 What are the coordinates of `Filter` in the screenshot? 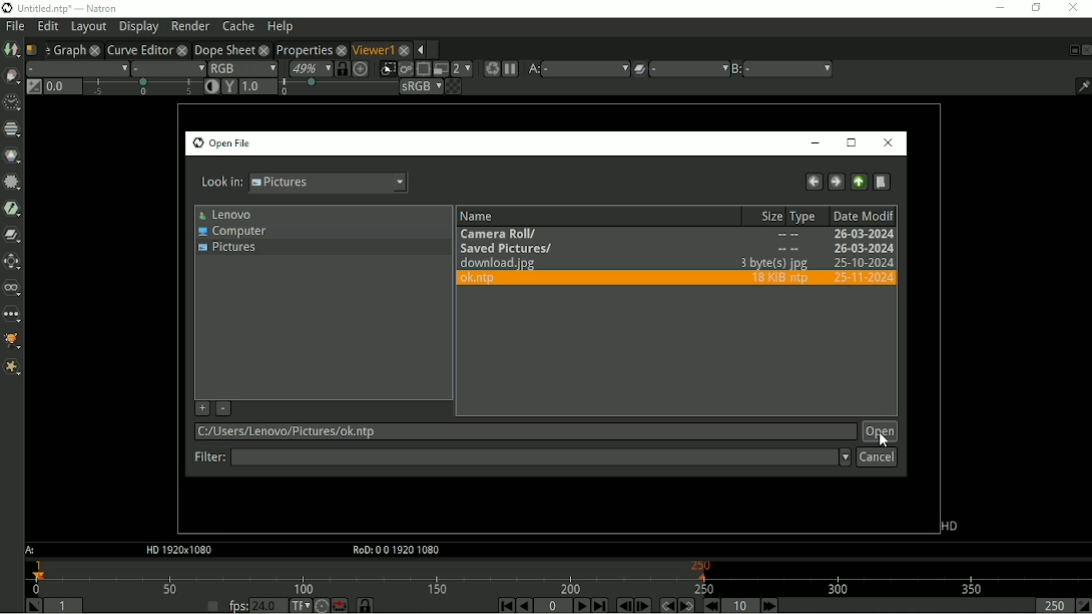 It's located at (13, 182).